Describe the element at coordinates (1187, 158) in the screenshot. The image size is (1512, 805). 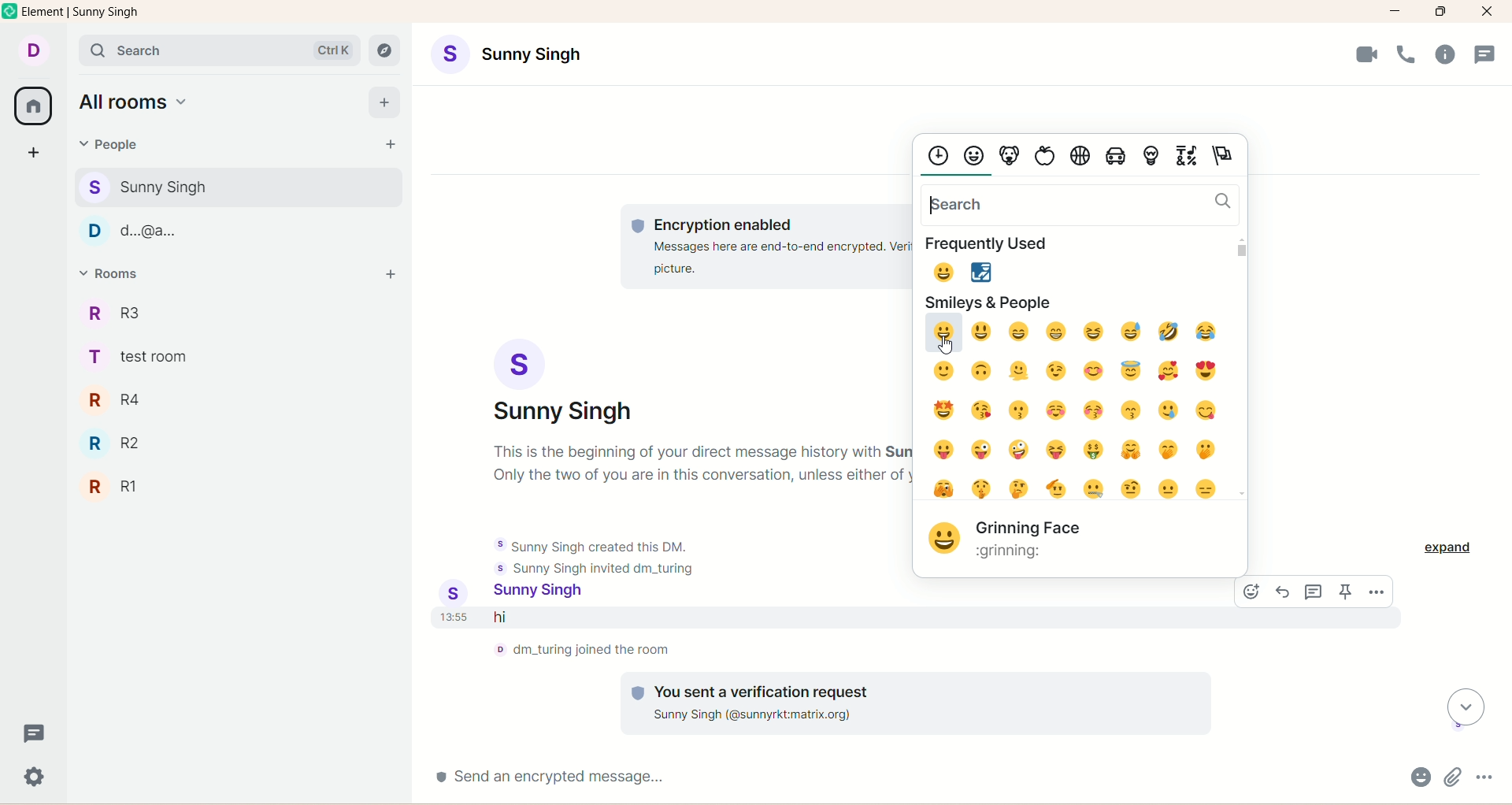
I see `Symbols` at that location.